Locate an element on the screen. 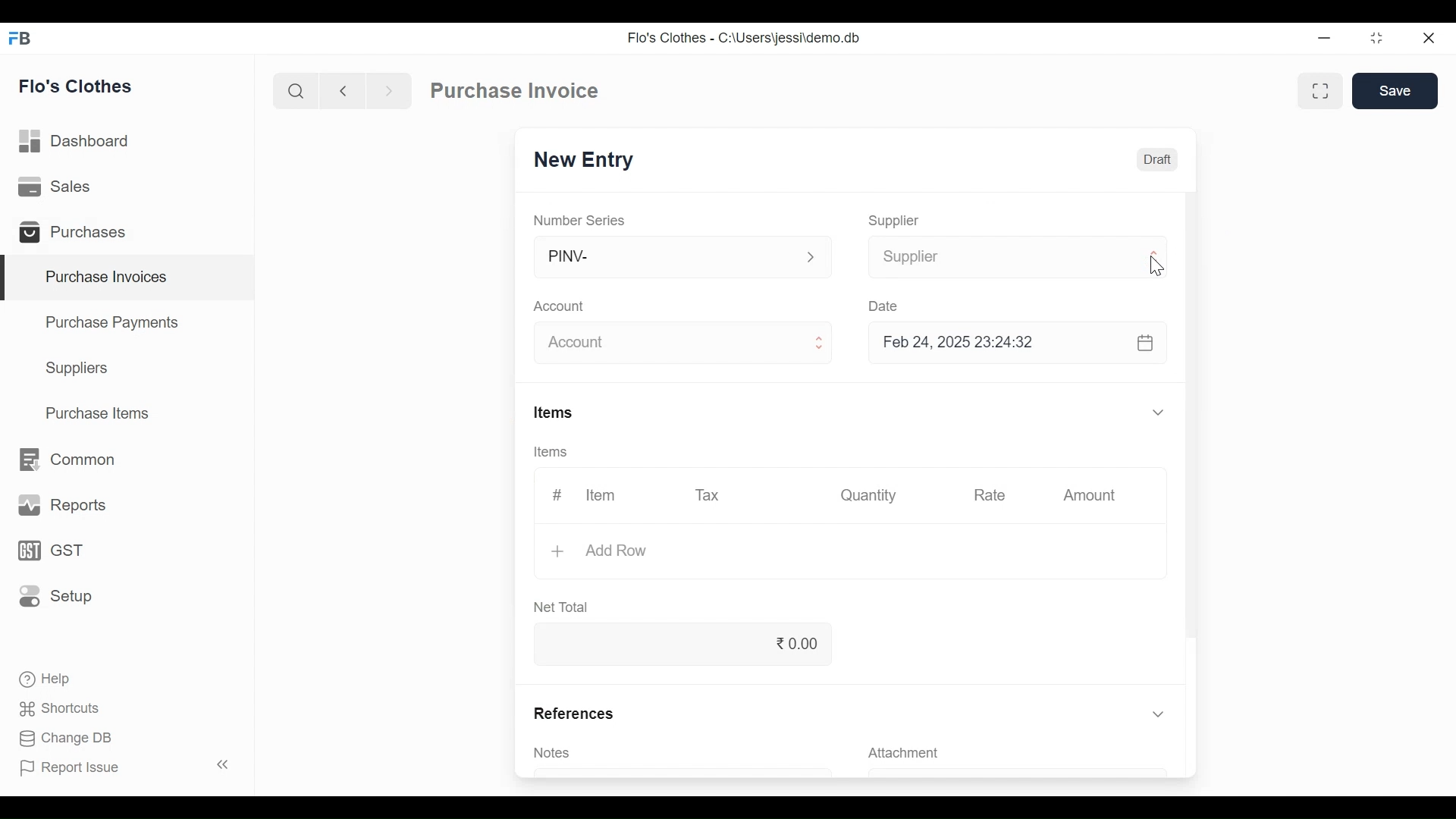 This screenshot has height=819, width=1456. New Entry is located at coordinates (585, 160).